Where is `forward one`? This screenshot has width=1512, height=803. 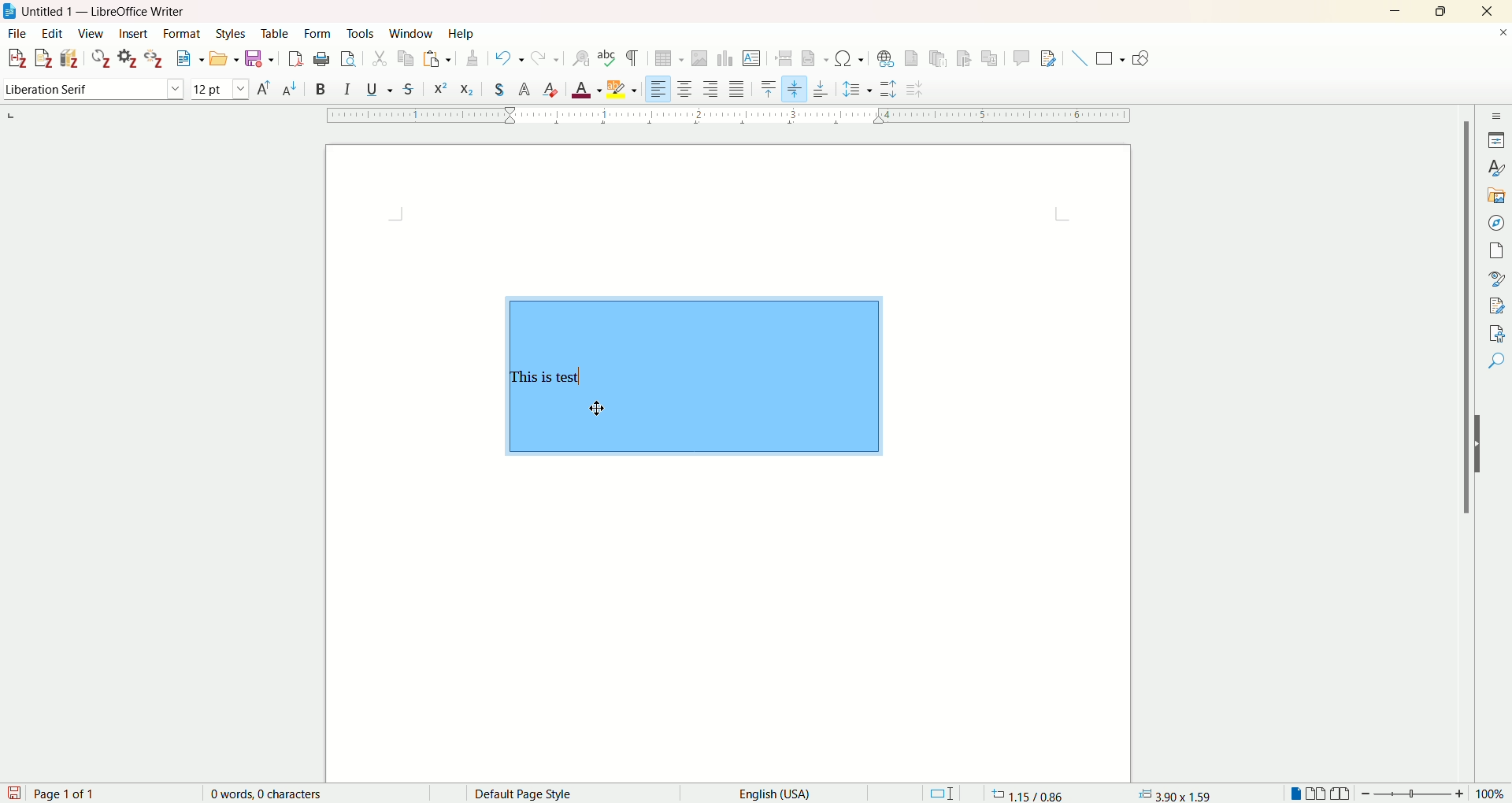
forward one is located at coordinates (285, 88).